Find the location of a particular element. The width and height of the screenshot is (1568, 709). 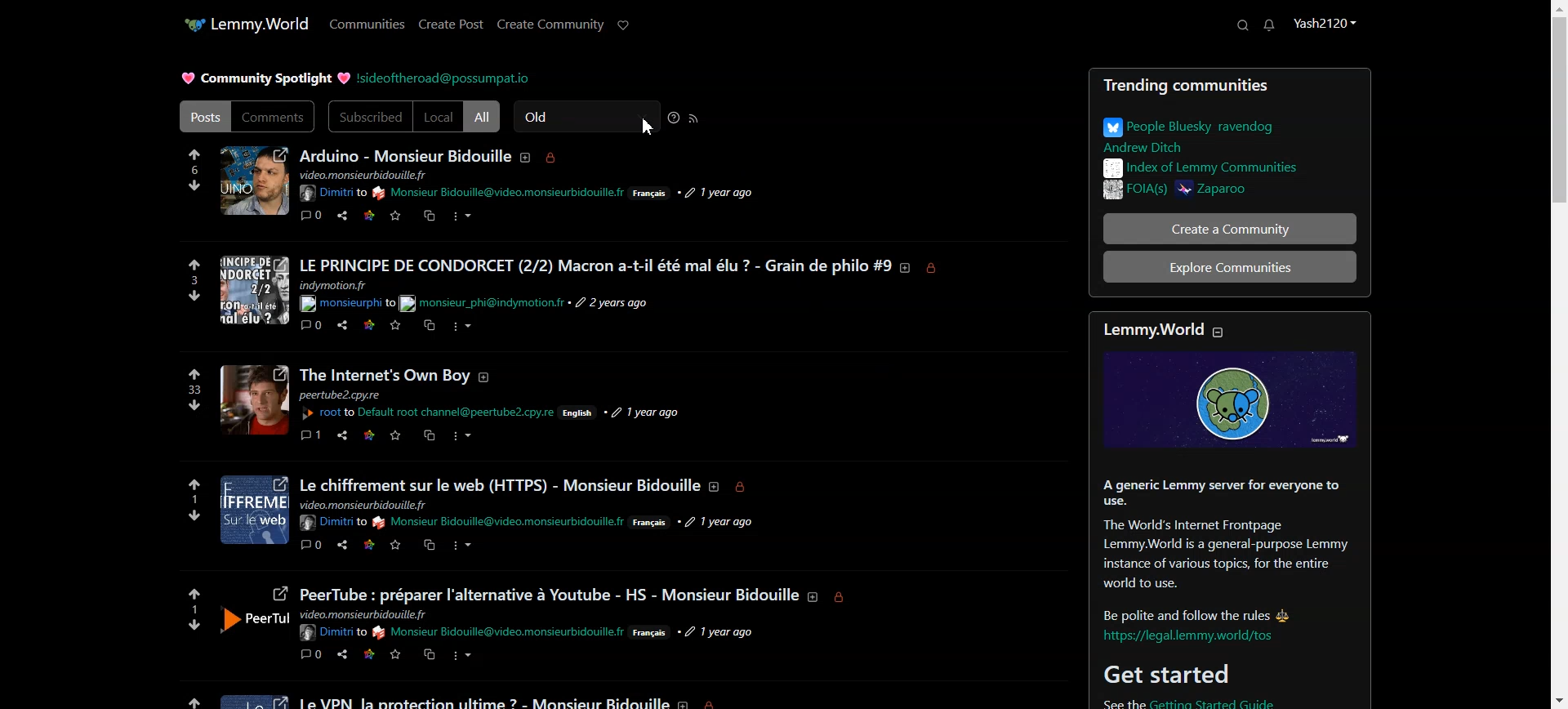

1 is located at coordinates (194, 500).